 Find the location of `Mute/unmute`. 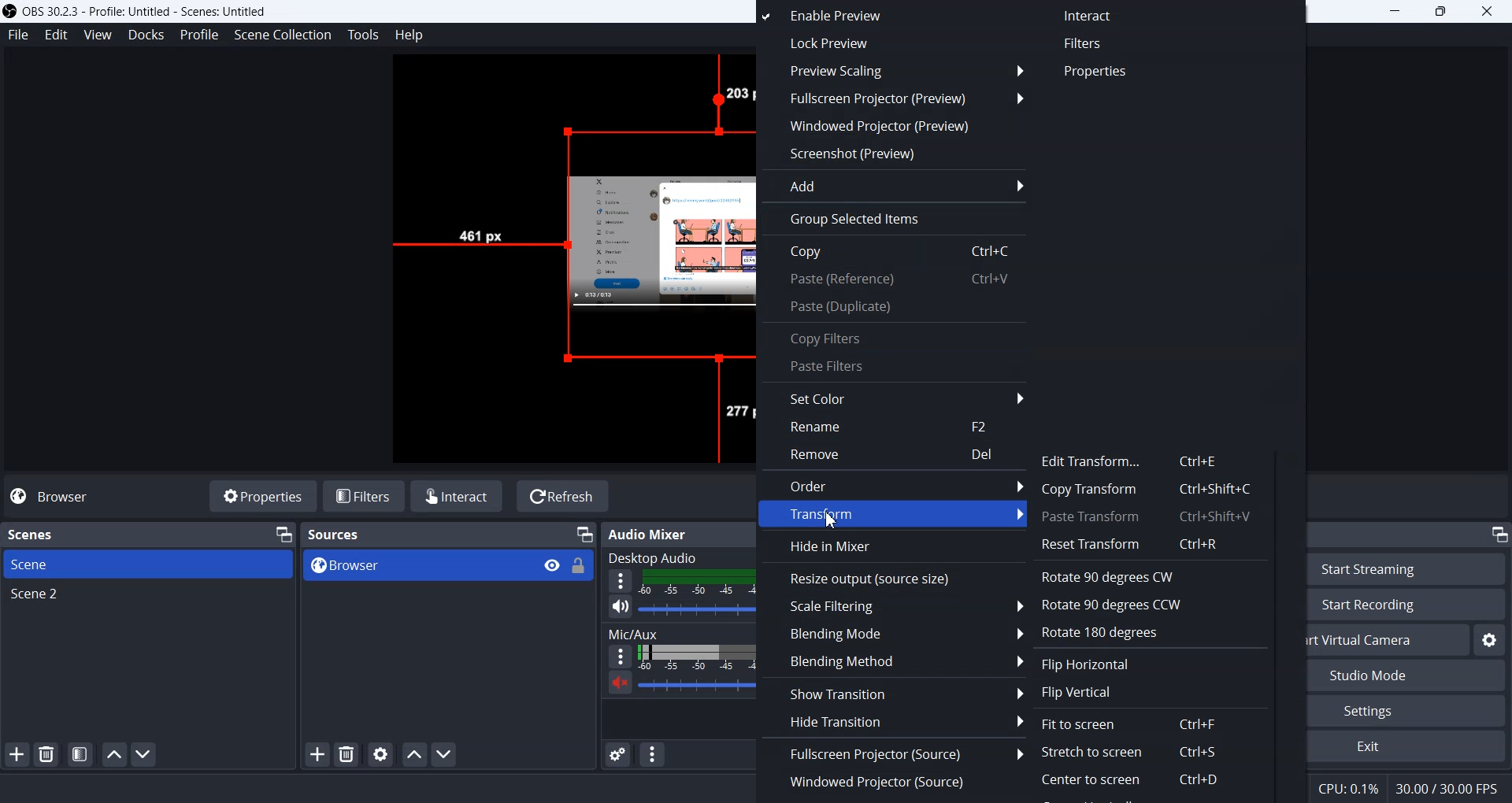

Mute/unmute is located at coordinates (620, 605).